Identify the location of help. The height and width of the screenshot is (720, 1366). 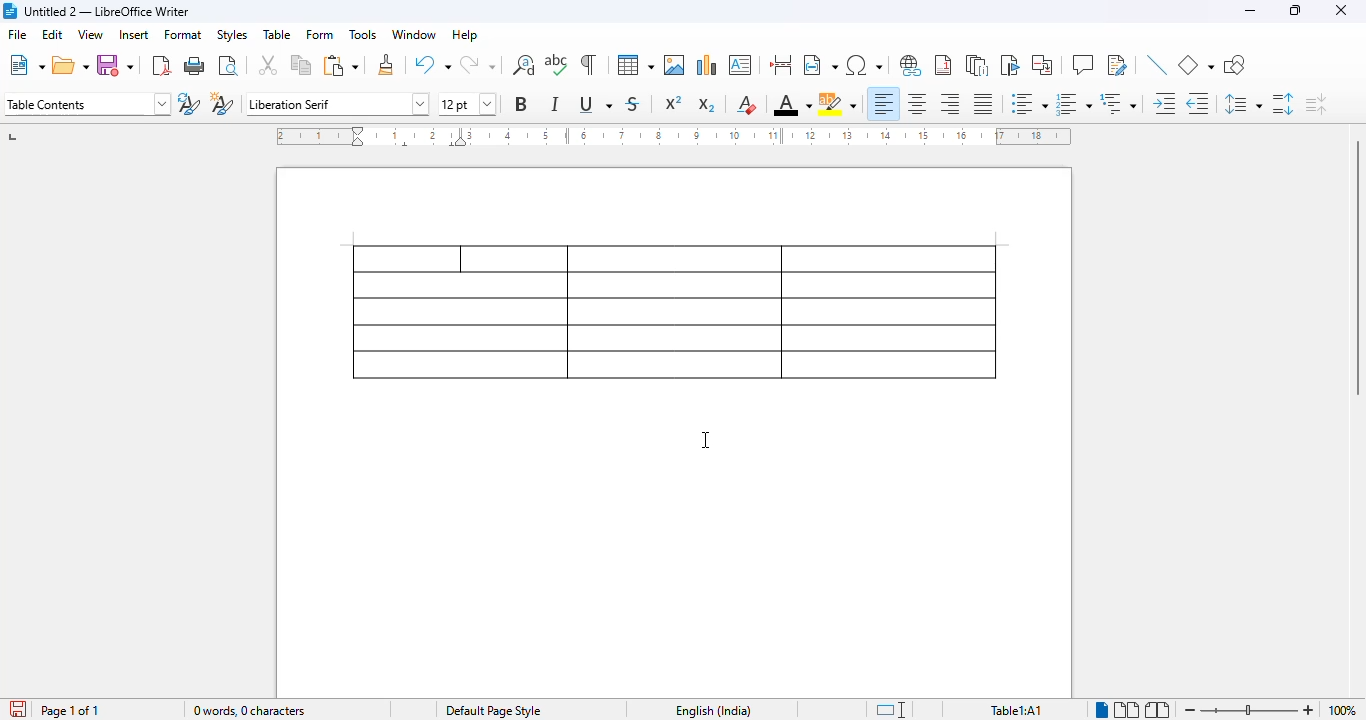
(464, 34).